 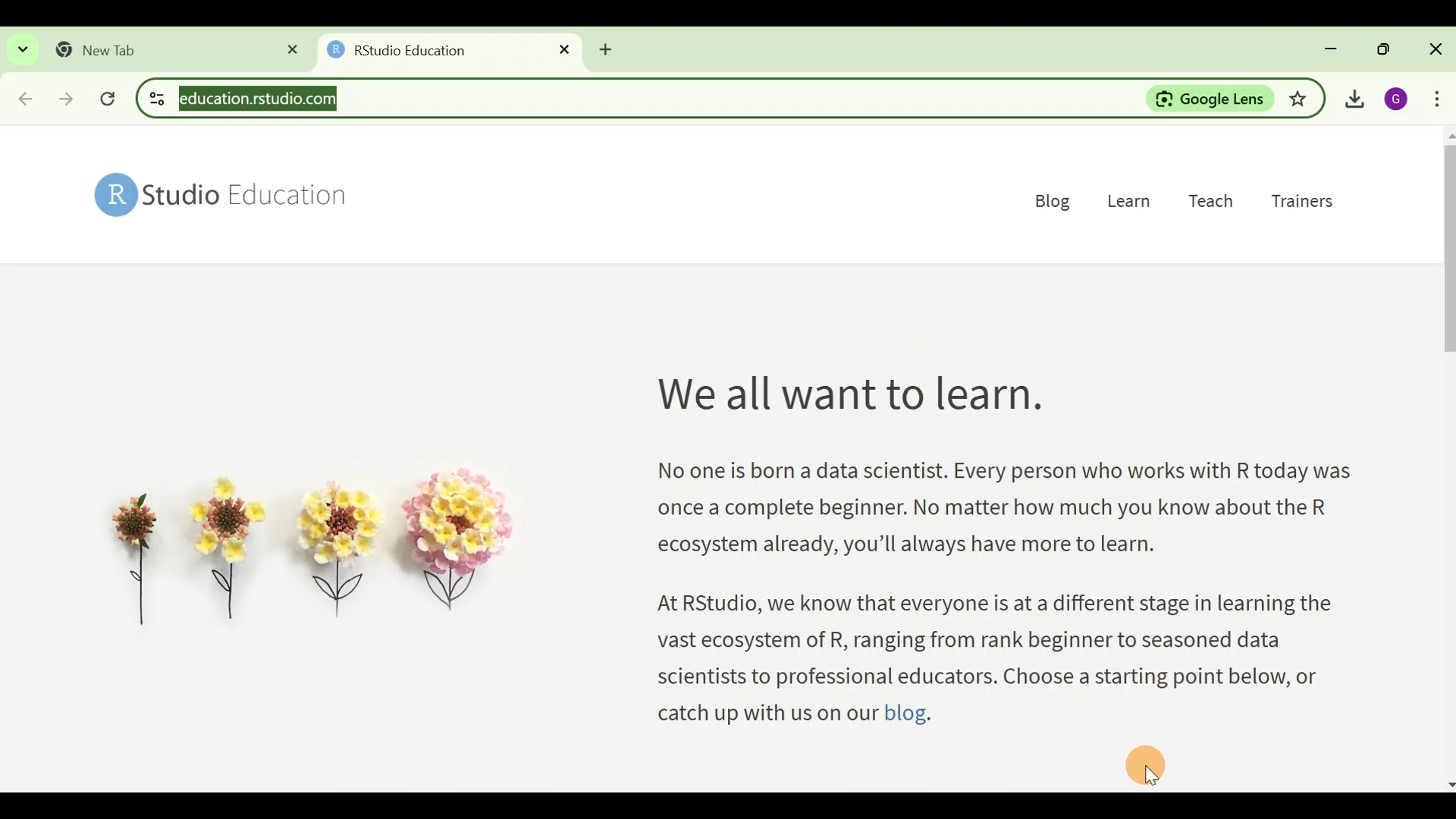 I want to click on Close, so click(x=1435, y=48).